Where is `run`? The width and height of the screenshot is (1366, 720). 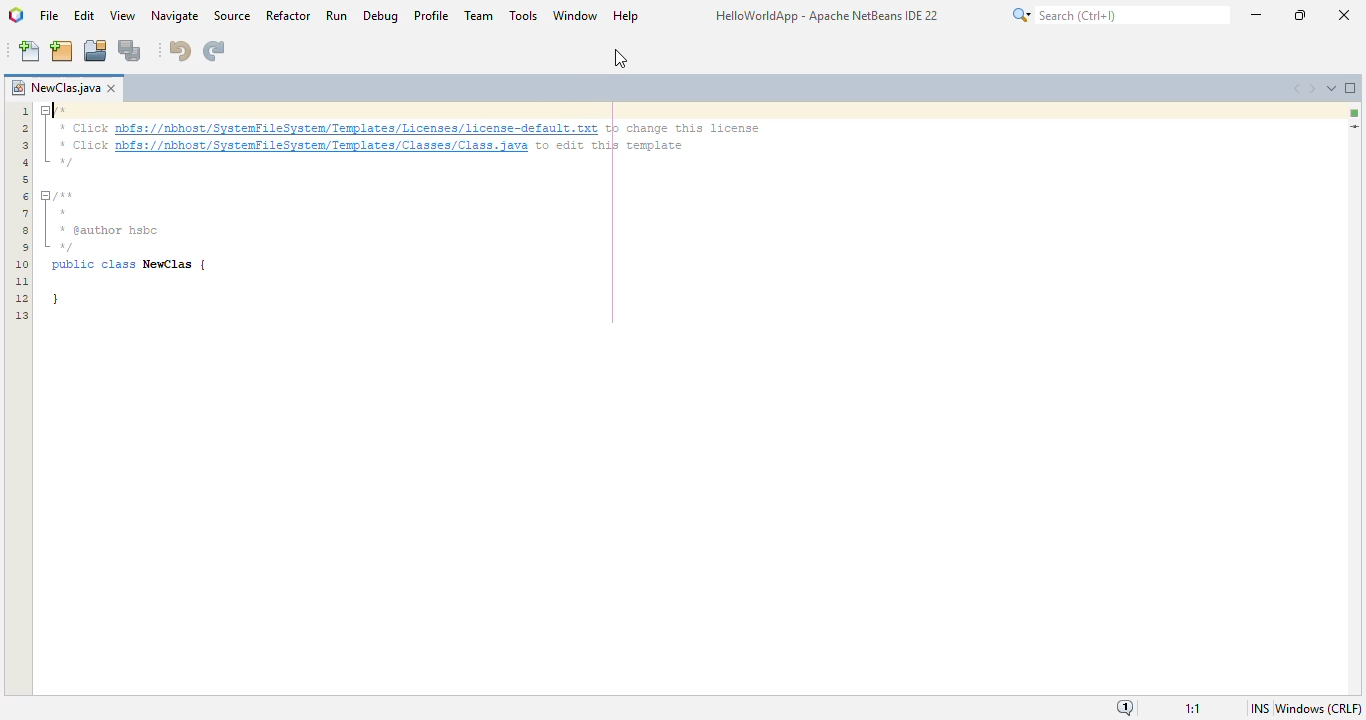
run is located at coordinates (336, 15).